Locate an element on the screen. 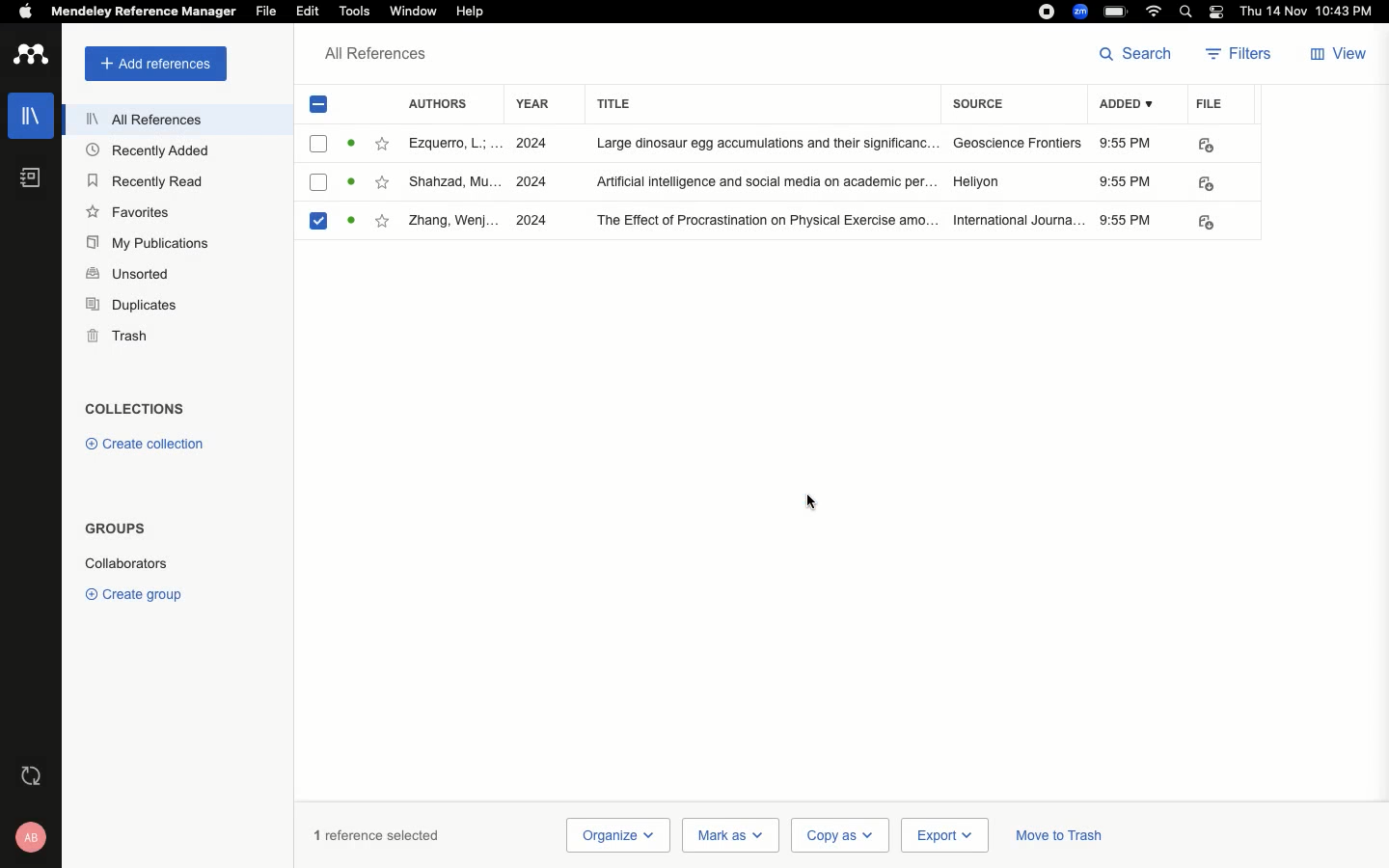 The image size is (1389, 868). checkbox is located at coordinates (318, 184).